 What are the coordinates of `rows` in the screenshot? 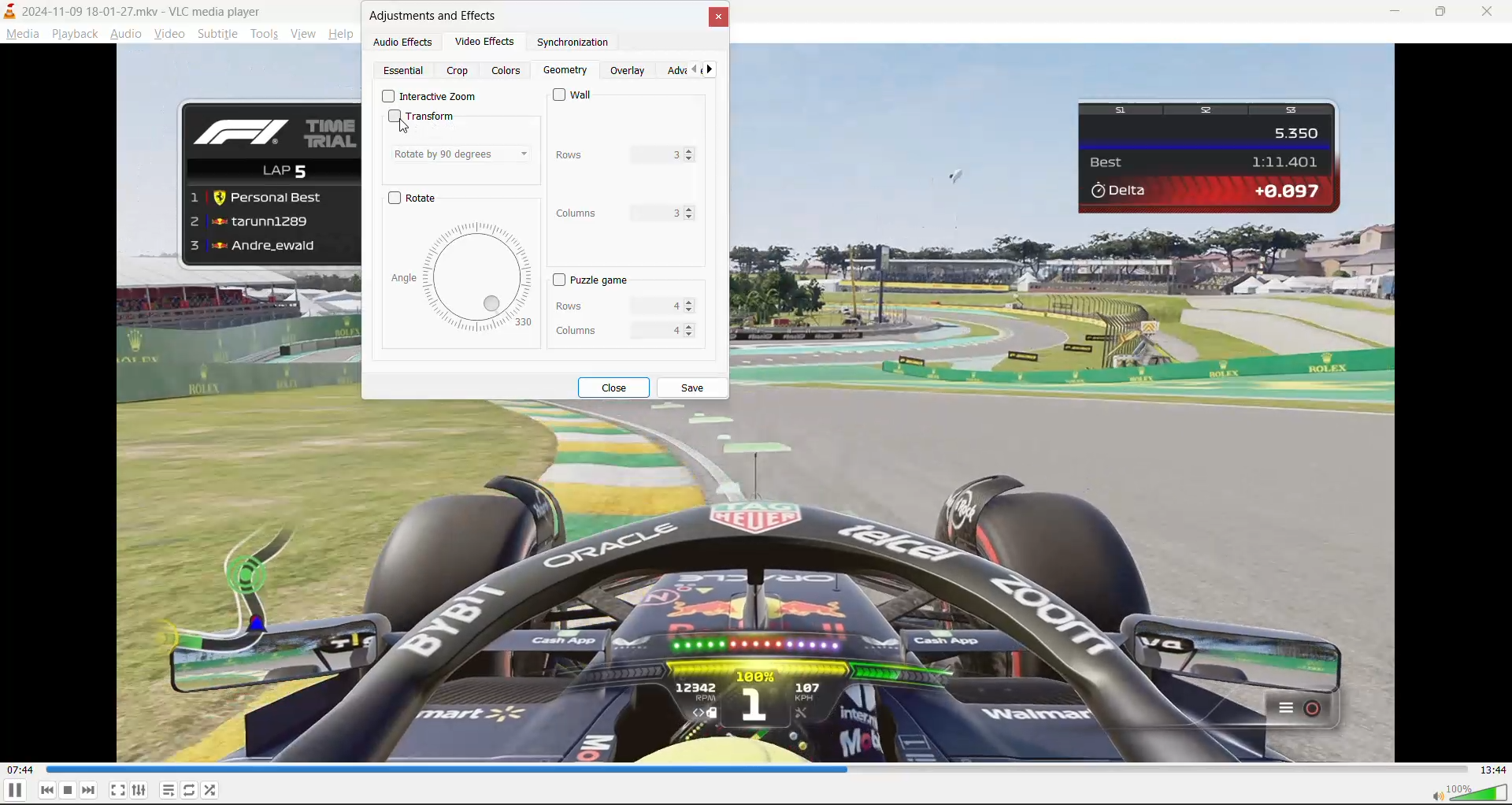 It's located at (616, 309).